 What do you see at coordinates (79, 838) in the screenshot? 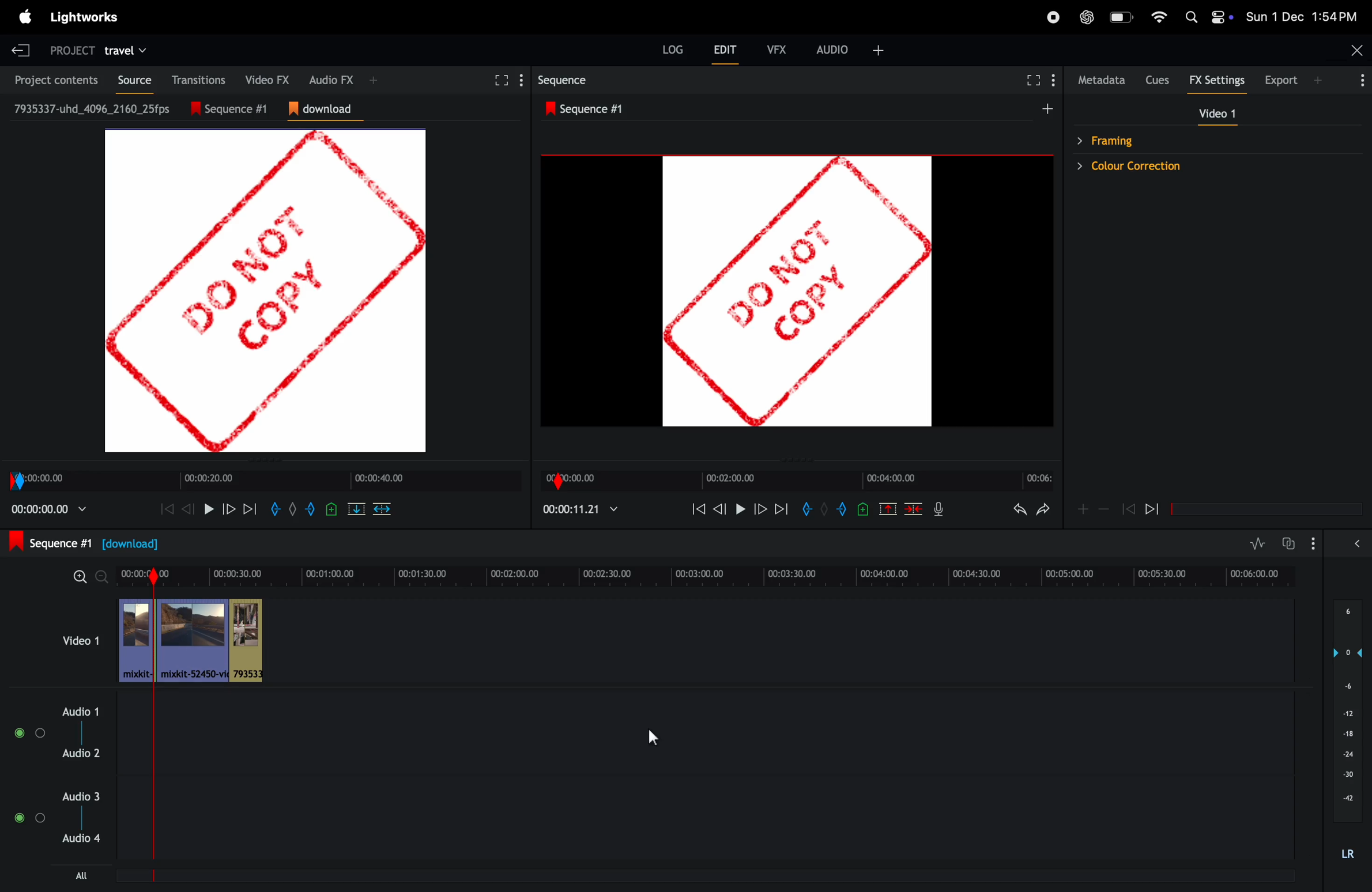
I see `audio 4` at bounding box center [79, 838].